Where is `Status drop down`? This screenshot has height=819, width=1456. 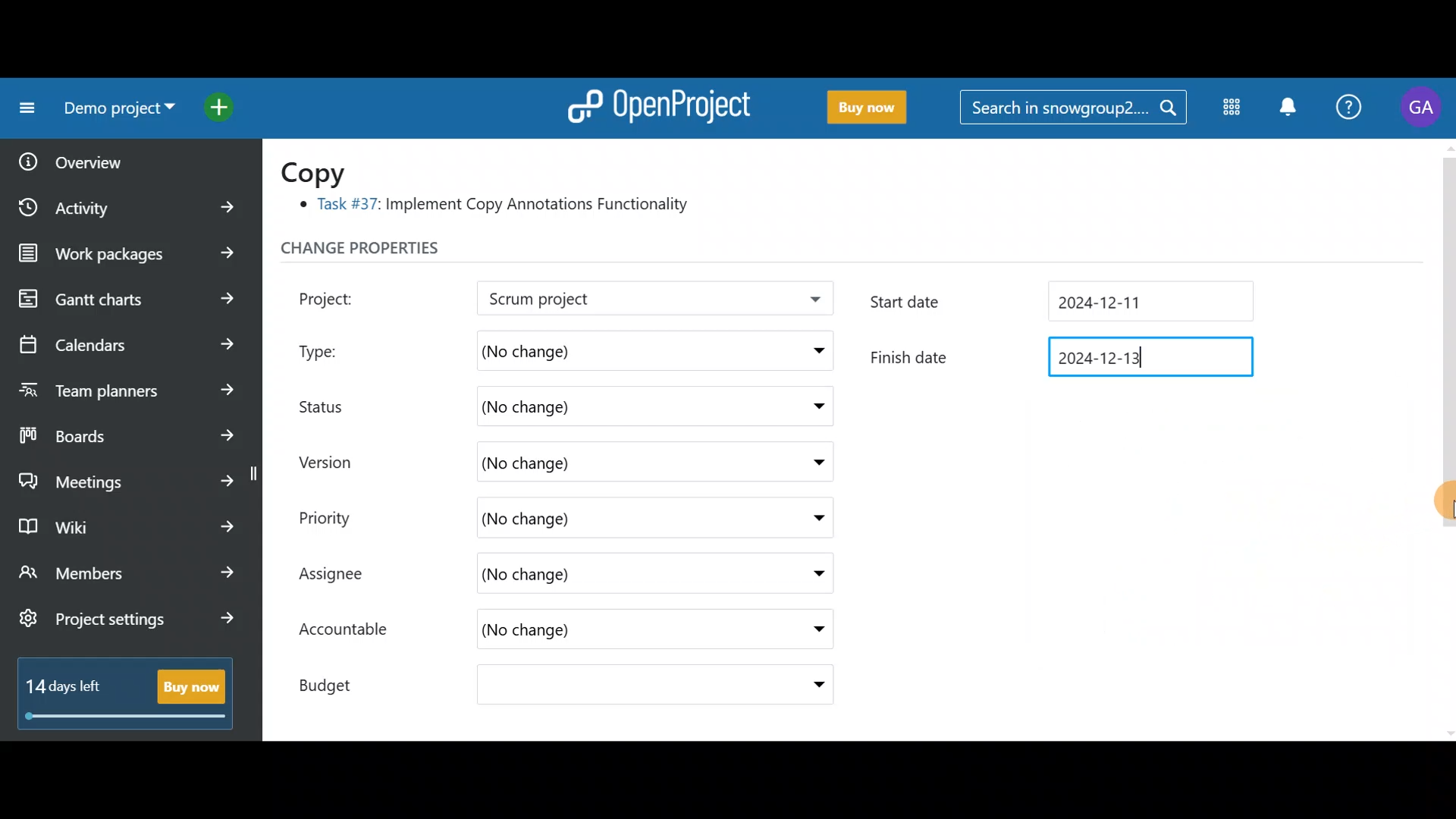 Status drop down is located at coordinates (814, 406).